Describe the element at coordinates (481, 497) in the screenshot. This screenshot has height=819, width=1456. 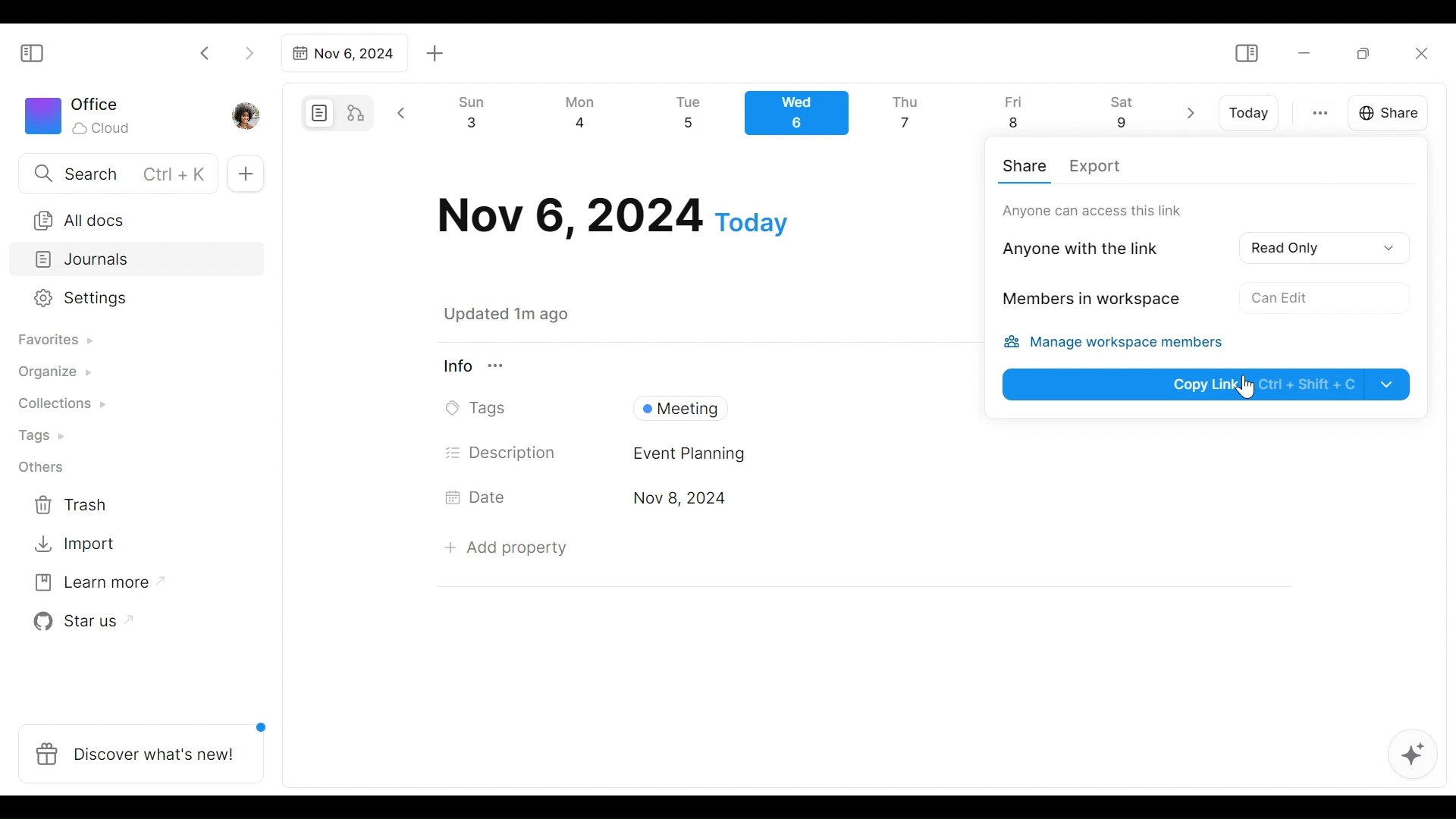
I see `Date` at that location.